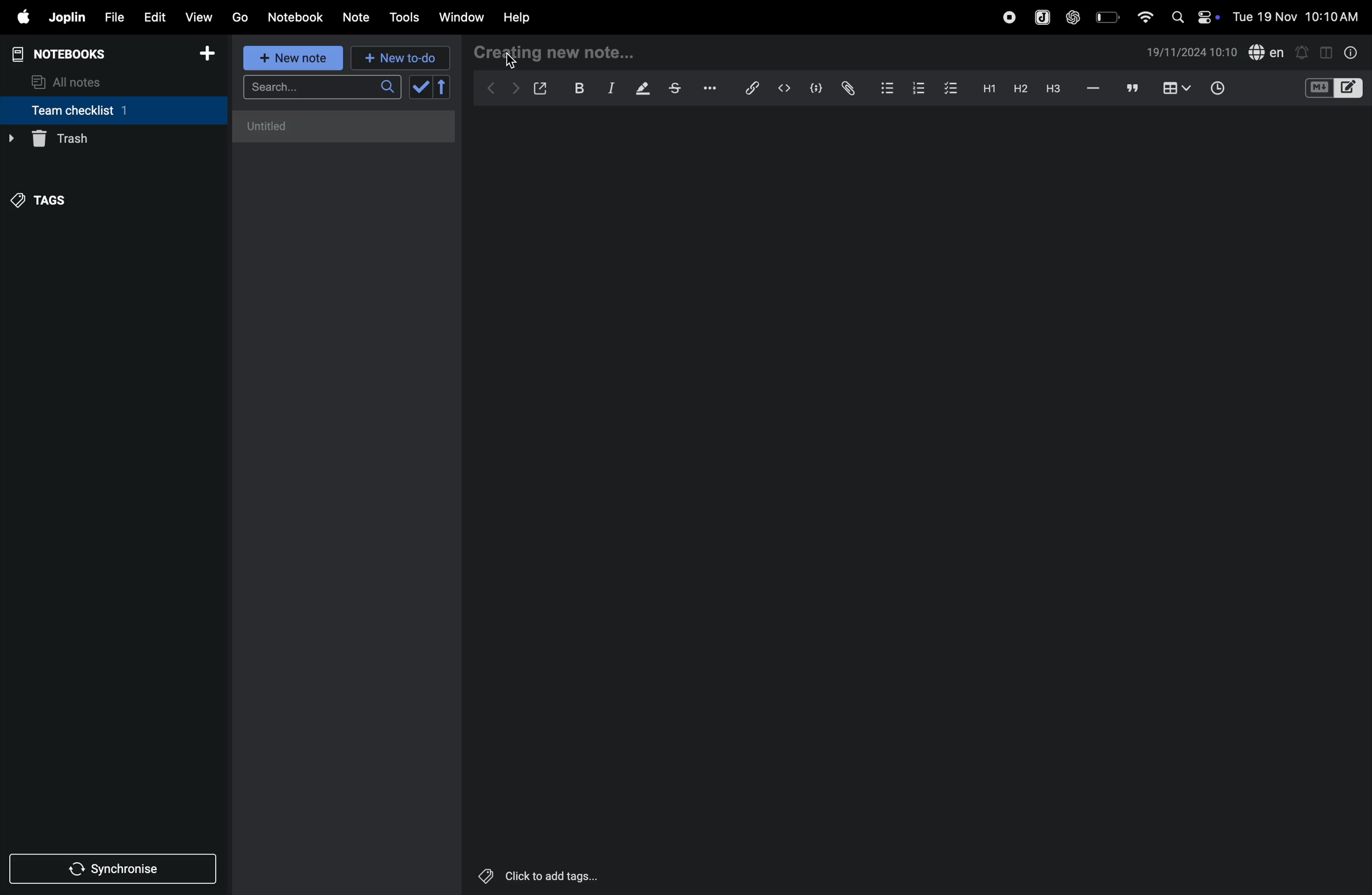 This screenshot has width=1372, height=895. I want to click on checklist, so click(952, 89).